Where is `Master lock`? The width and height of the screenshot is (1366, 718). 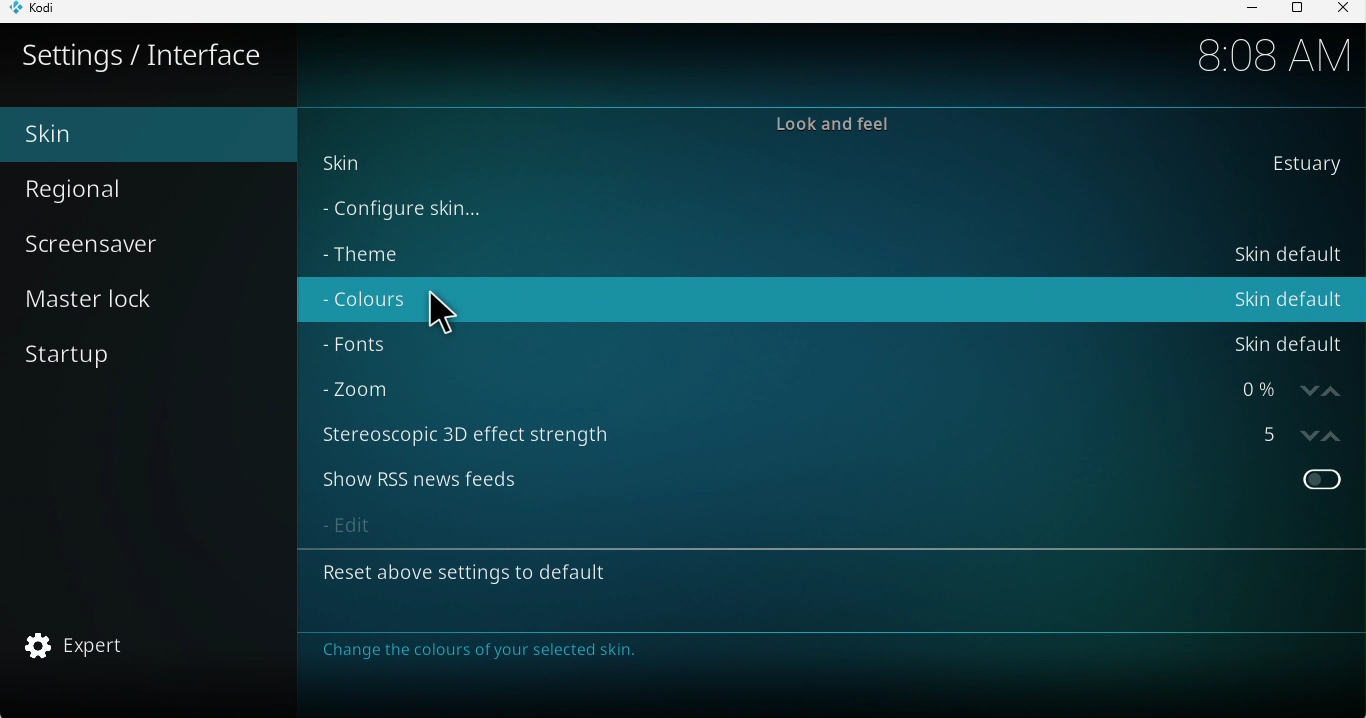
Master lock is located at coordinates (102, 298).